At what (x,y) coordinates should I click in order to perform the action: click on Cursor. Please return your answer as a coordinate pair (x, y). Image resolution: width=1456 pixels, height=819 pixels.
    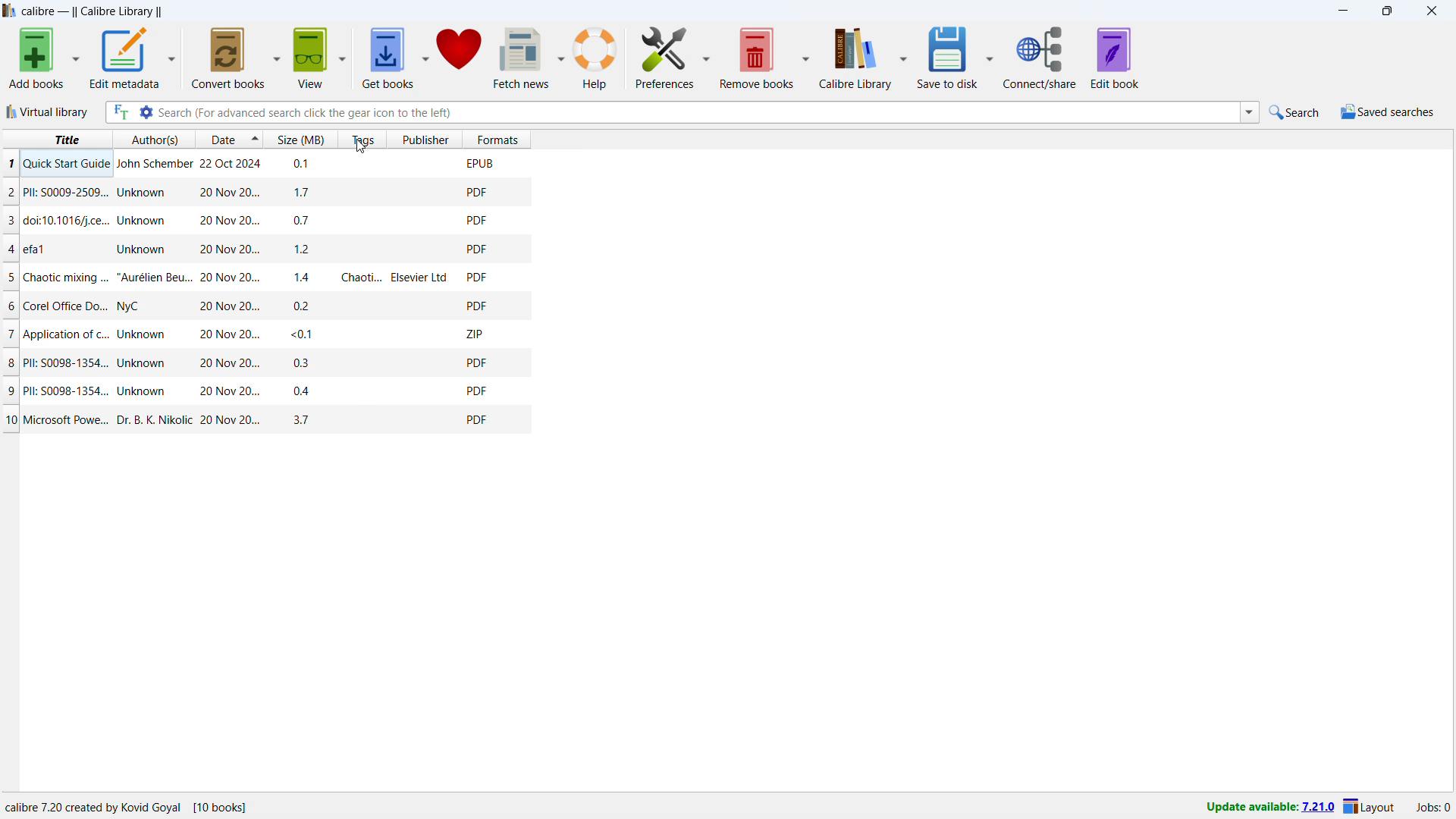
    Looking at the image, I should click on (362, 149).